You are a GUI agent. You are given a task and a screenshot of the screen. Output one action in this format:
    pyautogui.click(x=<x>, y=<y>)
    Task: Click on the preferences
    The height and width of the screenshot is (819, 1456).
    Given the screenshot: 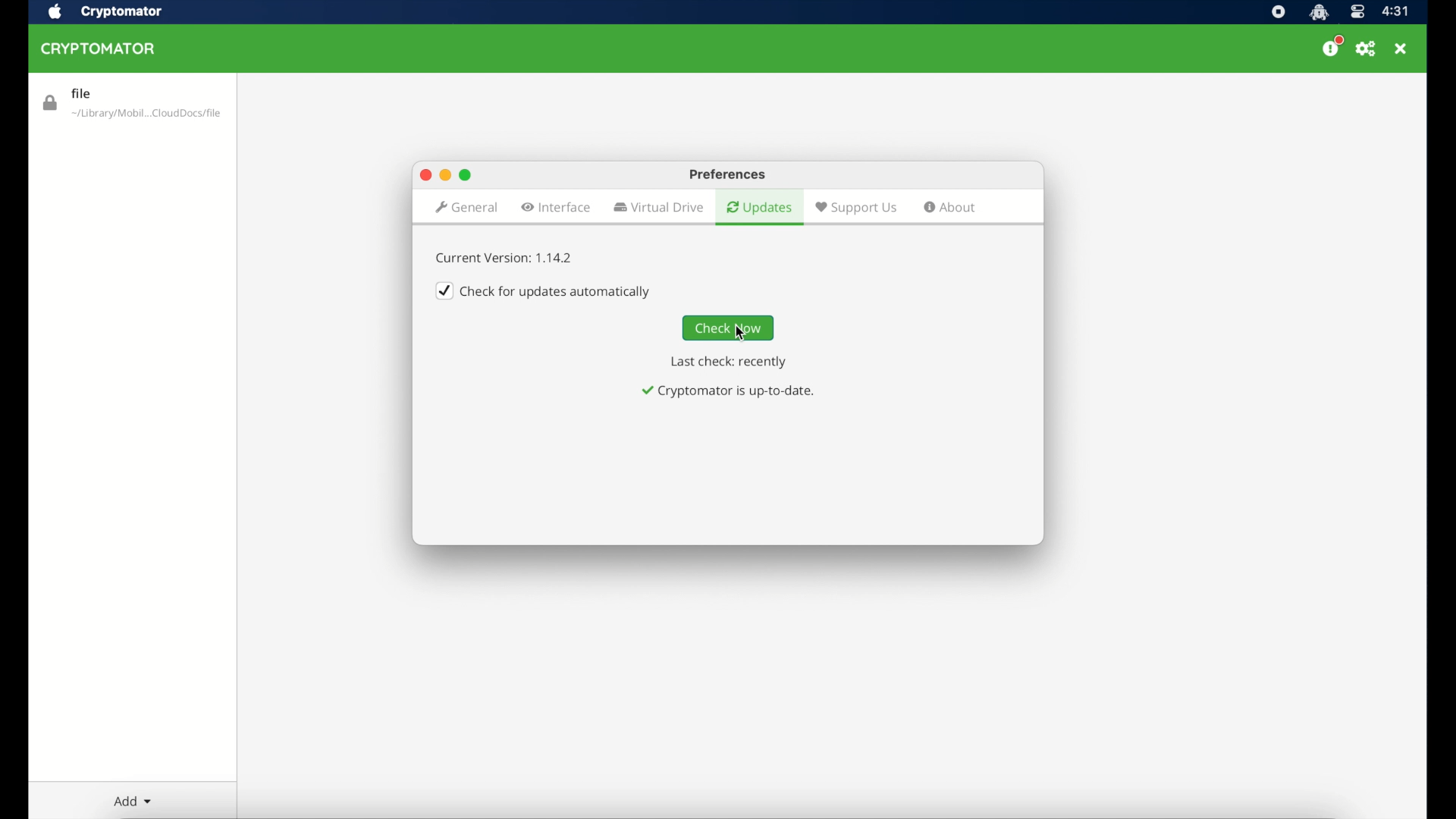 What is the action you would take?
    pyautogui.click(x=727, y=174)
    